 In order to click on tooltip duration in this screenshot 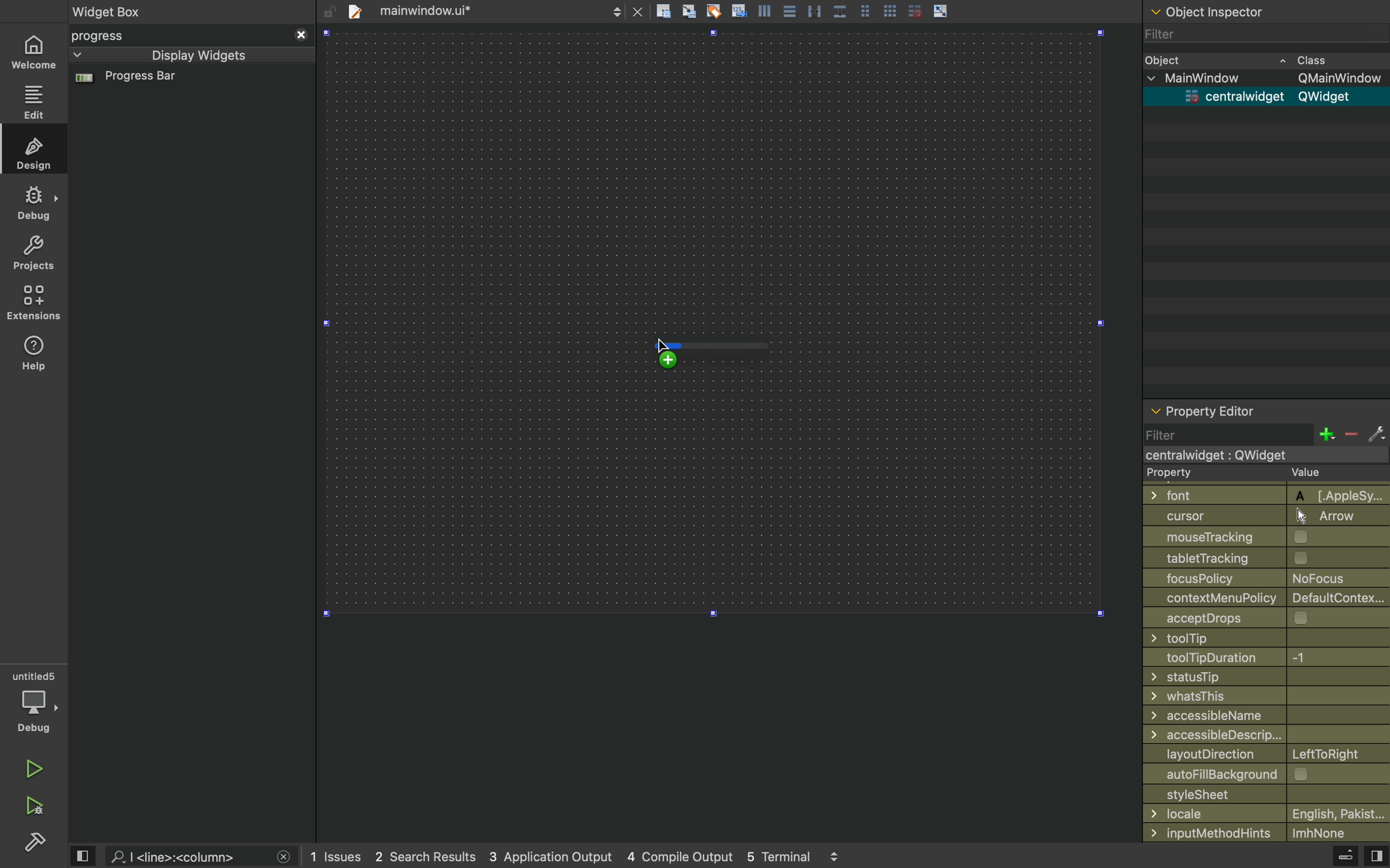, I will do `click(1250, 658)`.